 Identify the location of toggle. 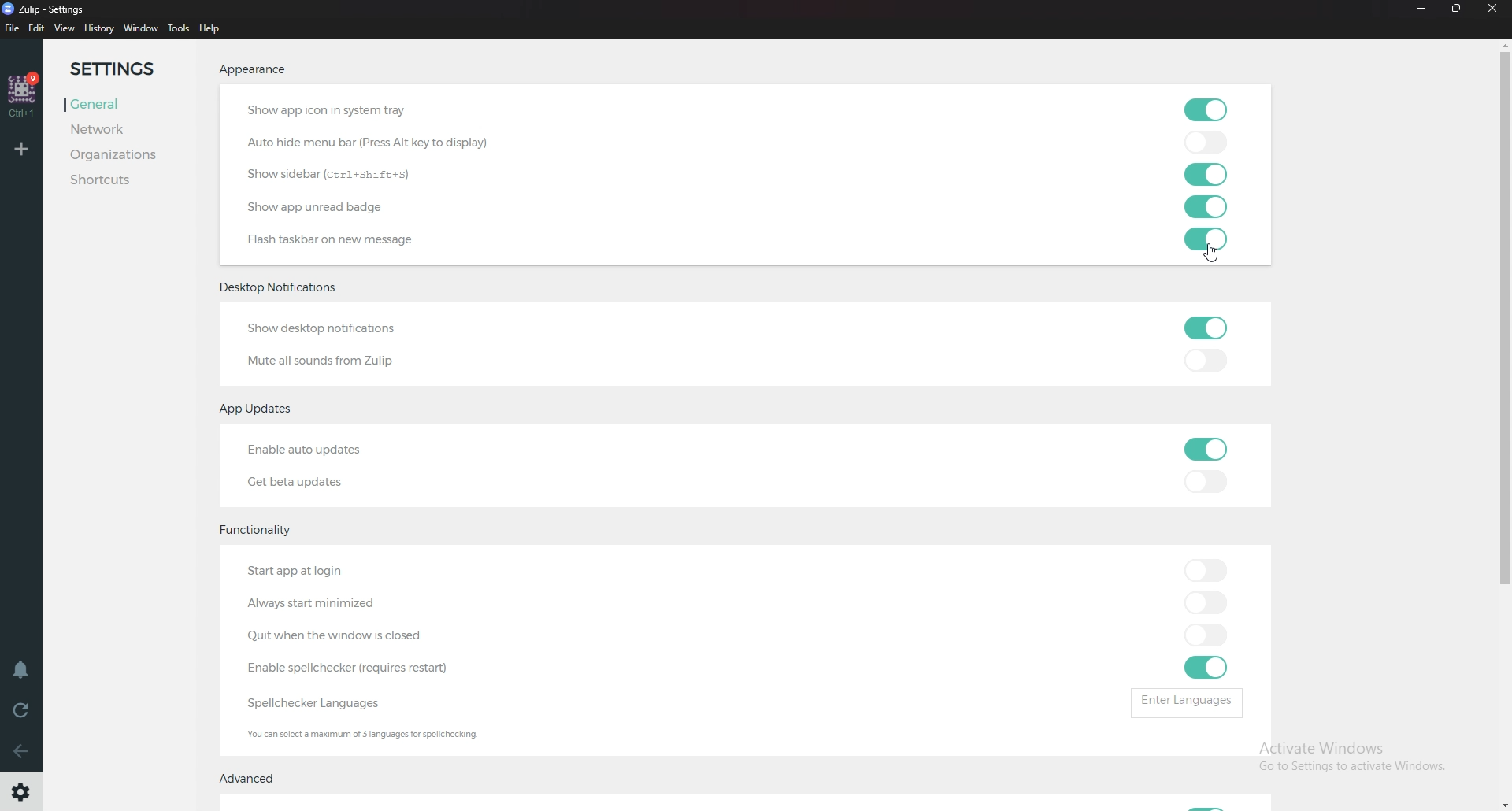
(1206, 636).